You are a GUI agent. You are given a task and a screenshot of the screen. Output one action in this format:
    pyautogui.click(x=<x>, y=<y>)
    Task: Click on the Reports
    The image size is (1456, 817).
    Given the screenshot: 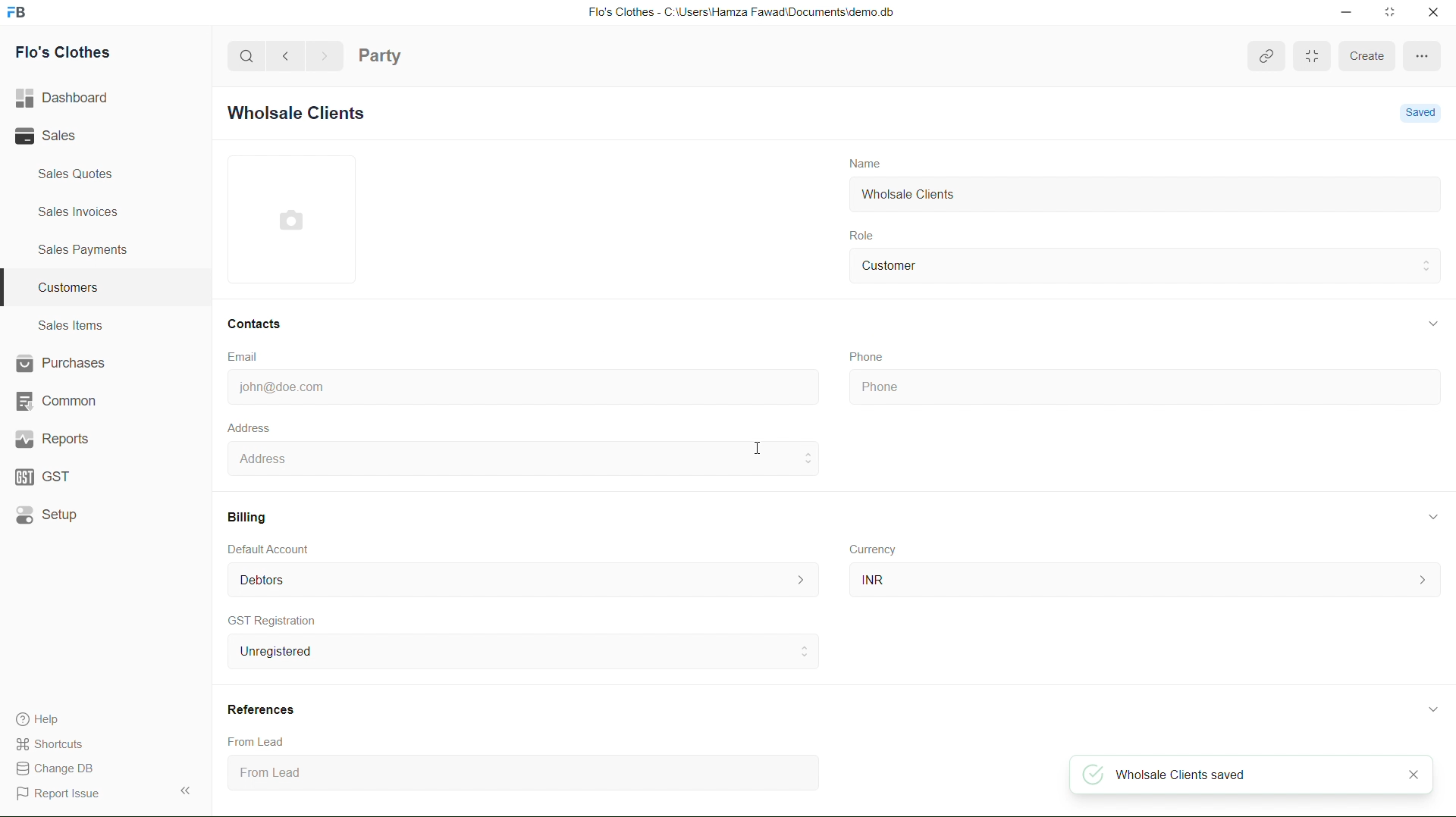 What is the action you would take?
    pyautogui.click(x=53, y=441)
    